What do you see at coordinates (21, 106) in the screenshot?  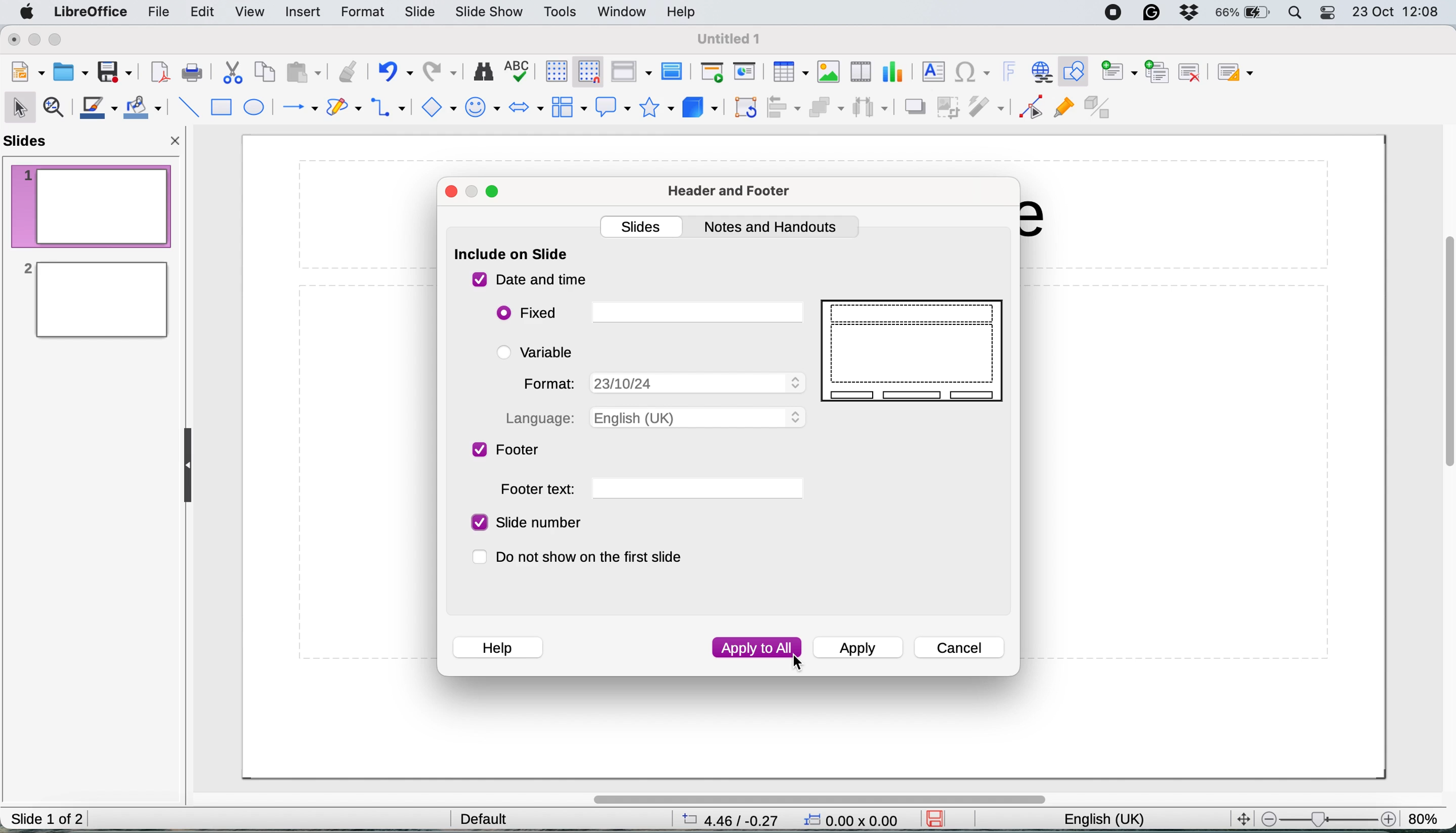 I see `selection tool` at bounding box center [21, 106].